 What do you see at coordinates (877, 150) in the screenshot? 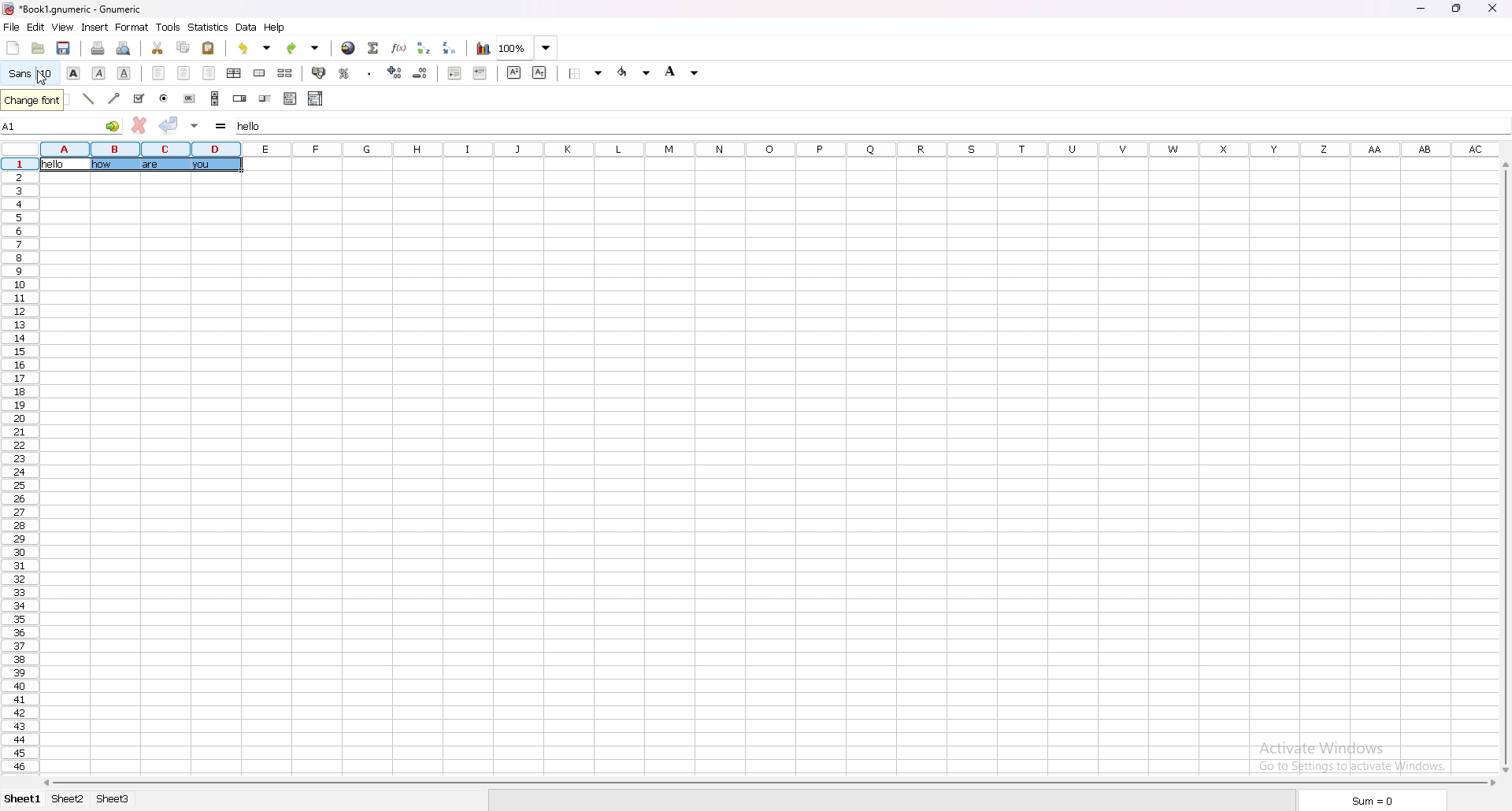
I see `columns` at bounding box center [877, 150].